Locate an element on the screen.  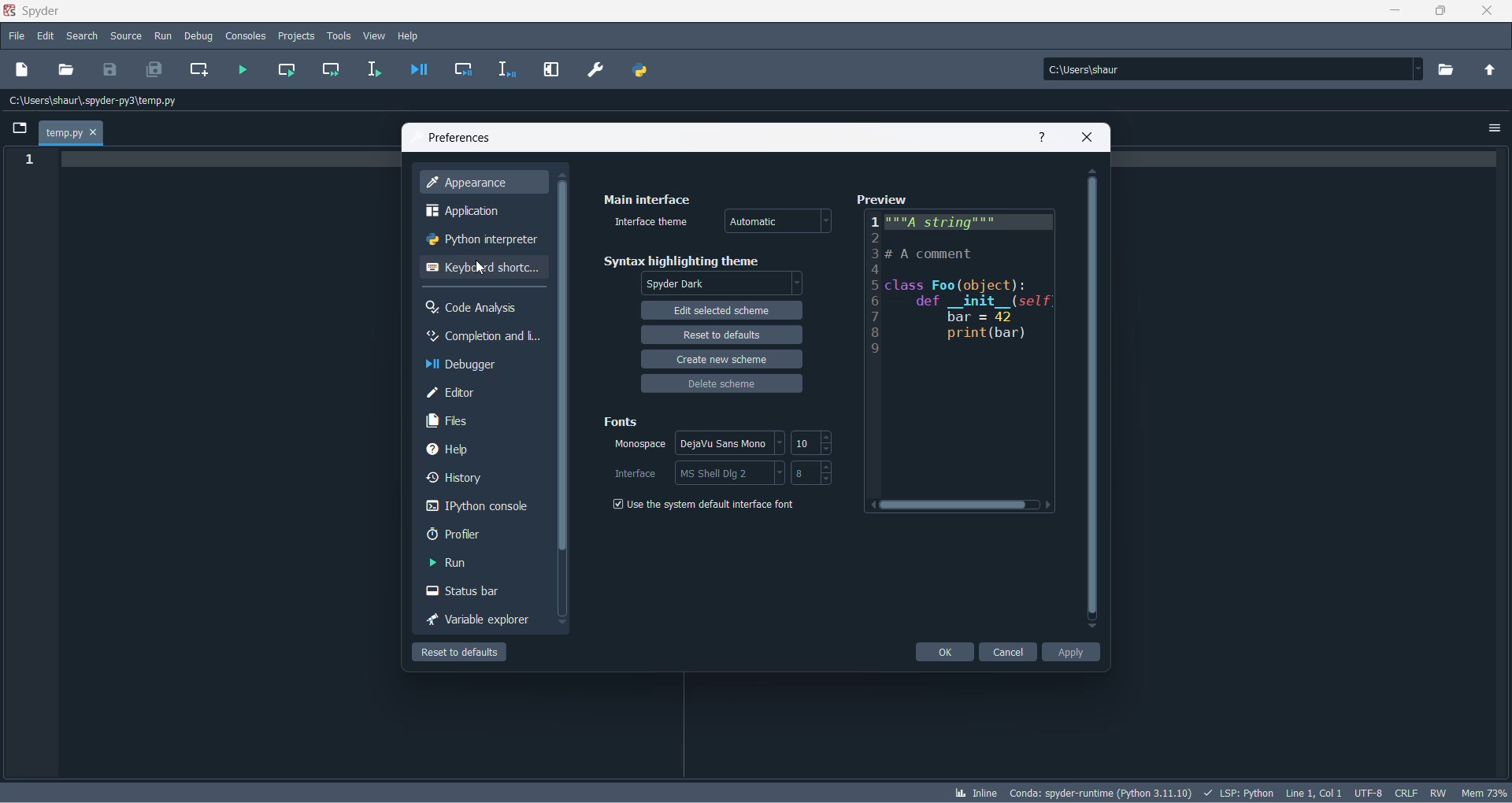
PYTHON PATH MANAGER is located at coordinates (639, 70).